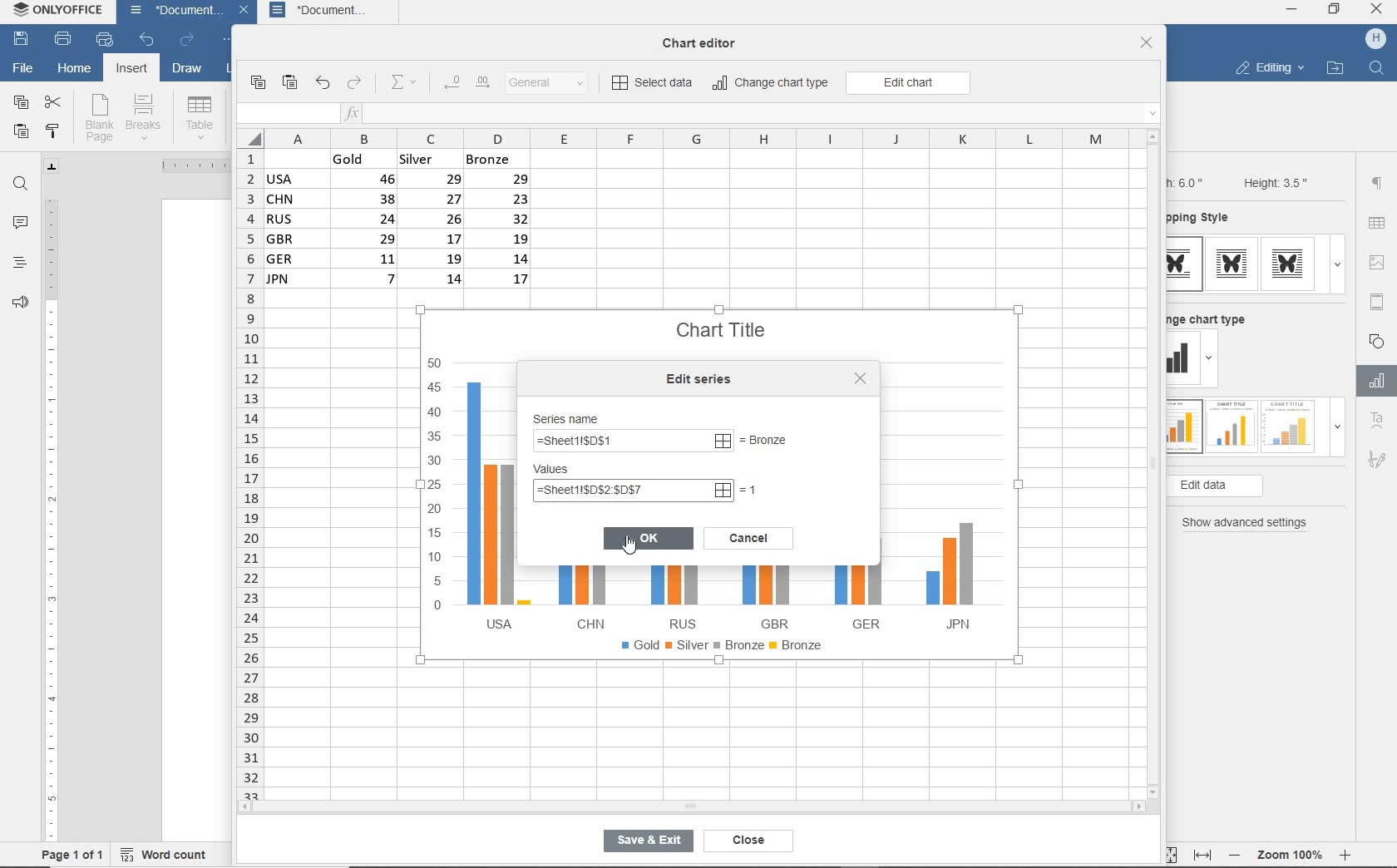  Describe the element at coordinates (1289, 425) in the screenshot. I see `type 3` at that location.